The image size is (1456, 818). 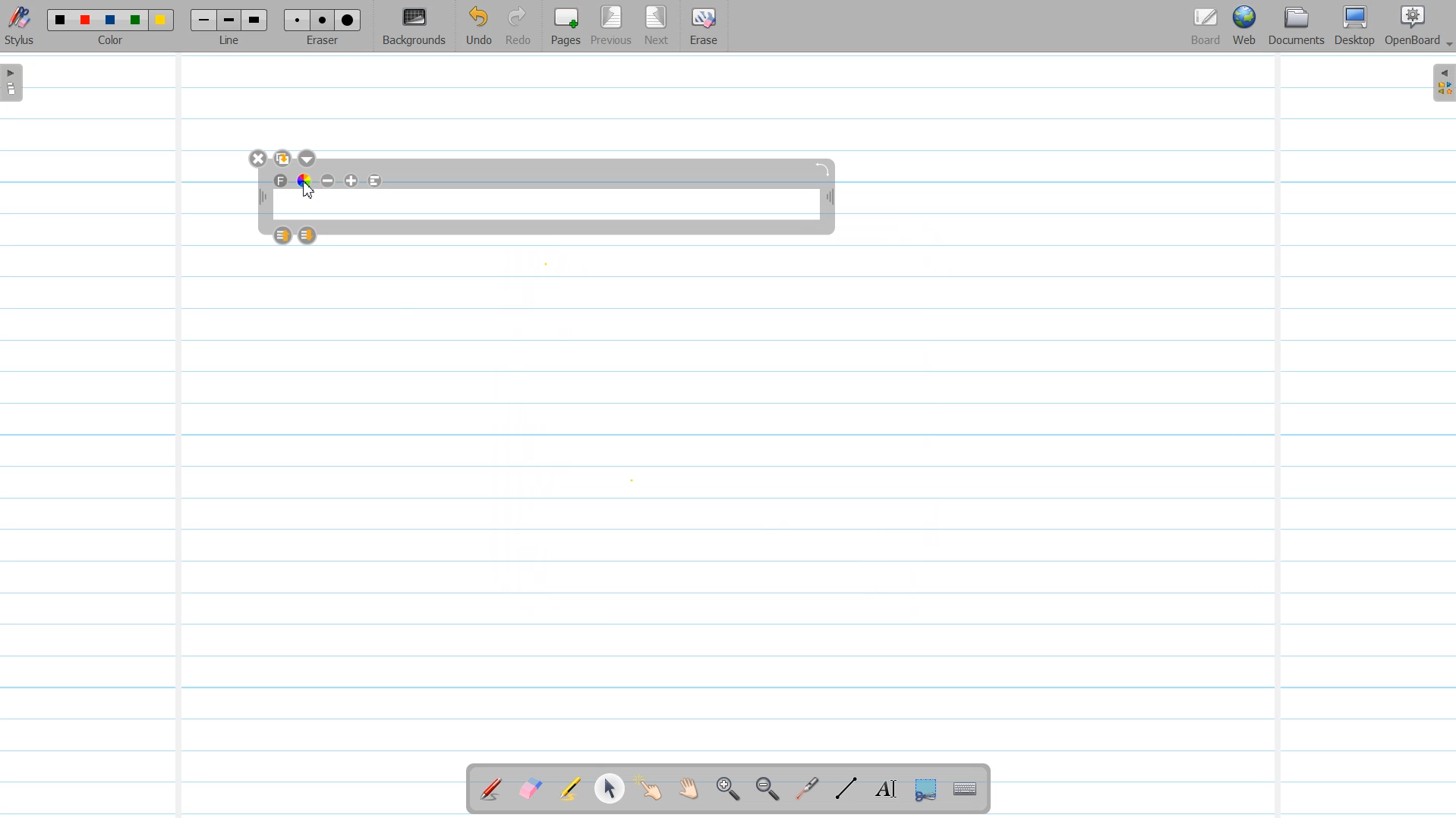 What do you see at coordinates (309, 189) in the screenshot?
I see `Cursor` at bounding box center [309, 189].